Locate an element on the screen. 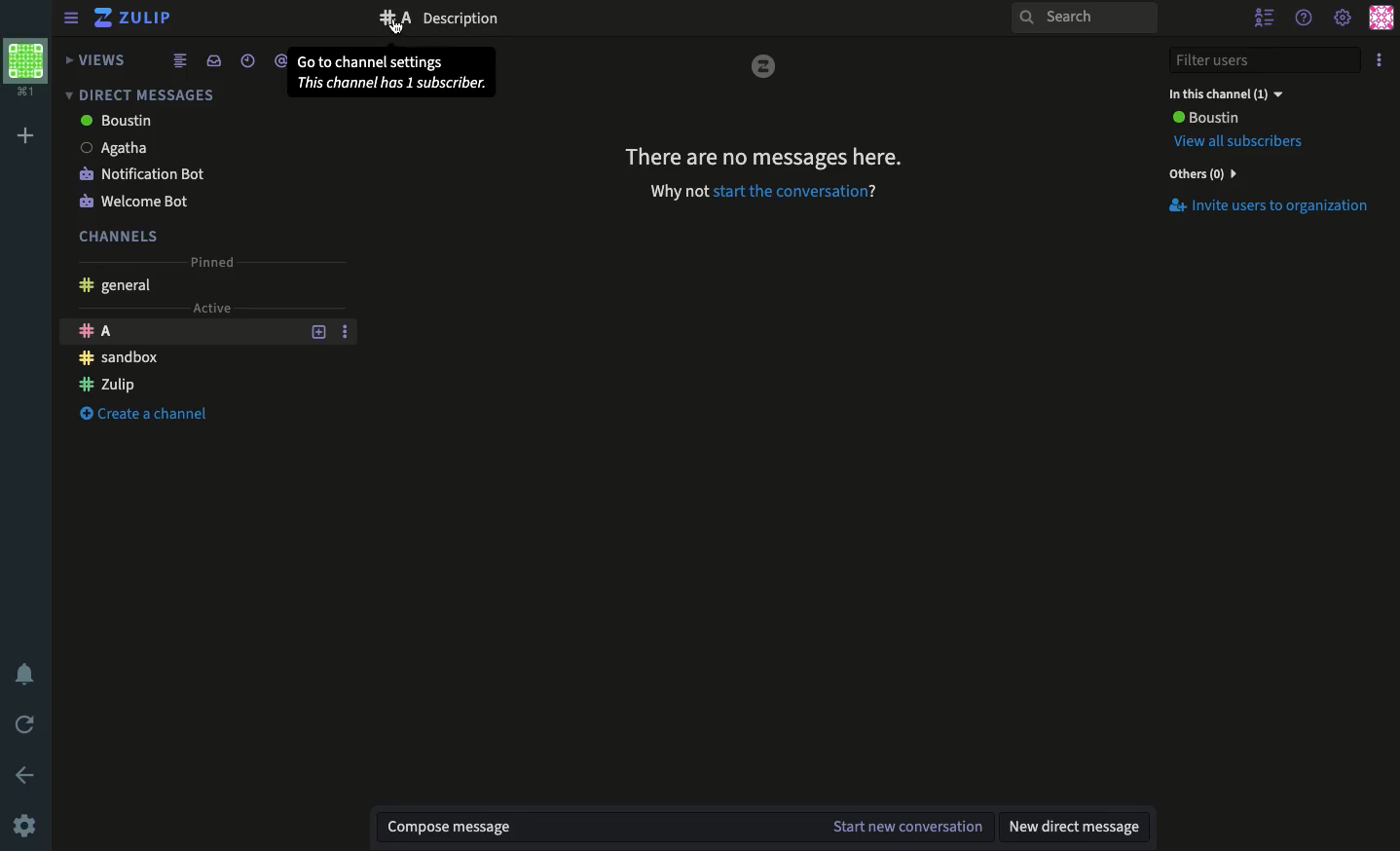 The image size is (1400, 851). Zulip is located at coordinates (111, 386).